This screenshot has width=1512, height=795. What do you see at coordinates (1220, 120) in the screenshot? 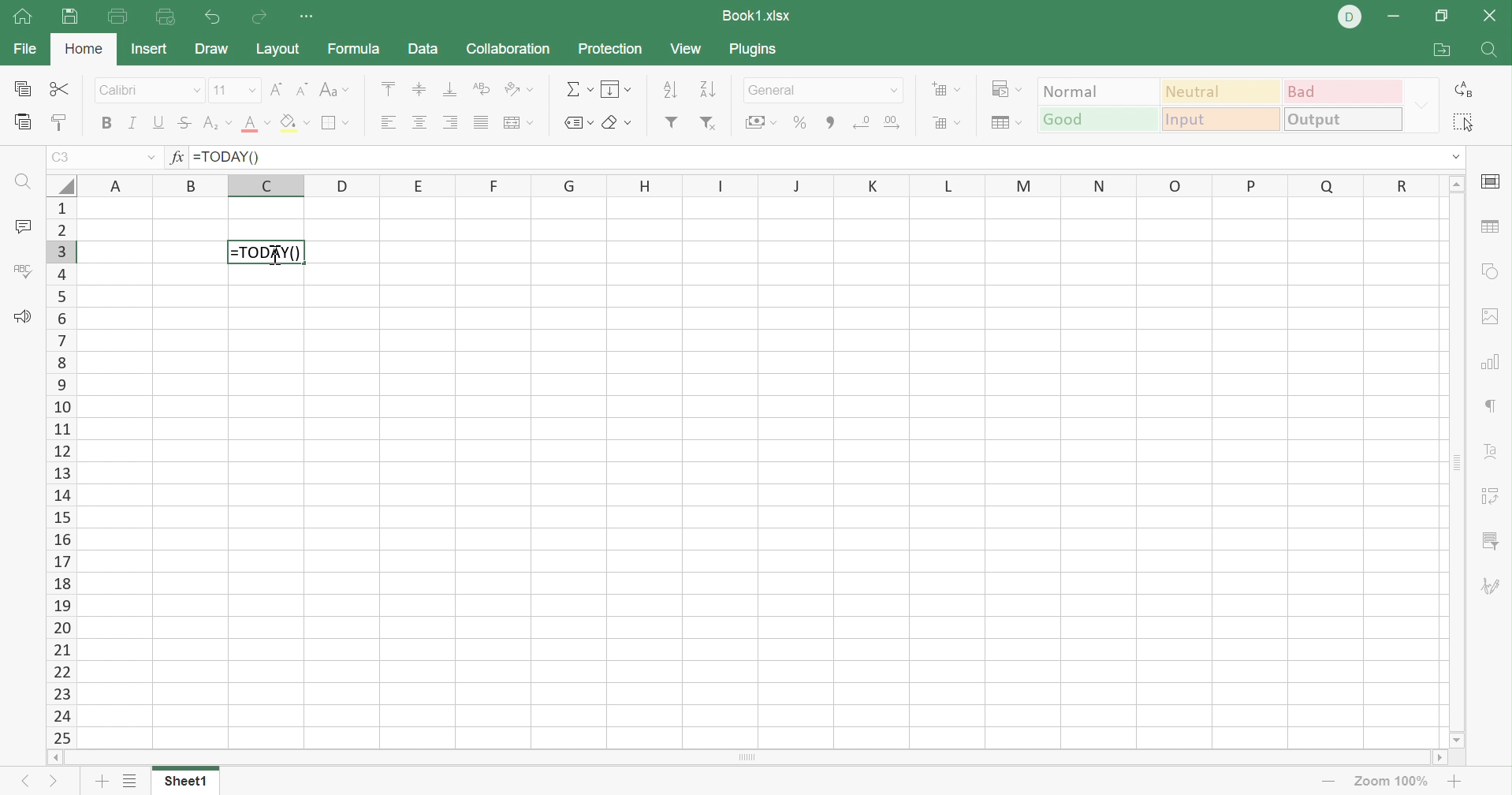
I see `Input` at bounding box center [1220, 120].